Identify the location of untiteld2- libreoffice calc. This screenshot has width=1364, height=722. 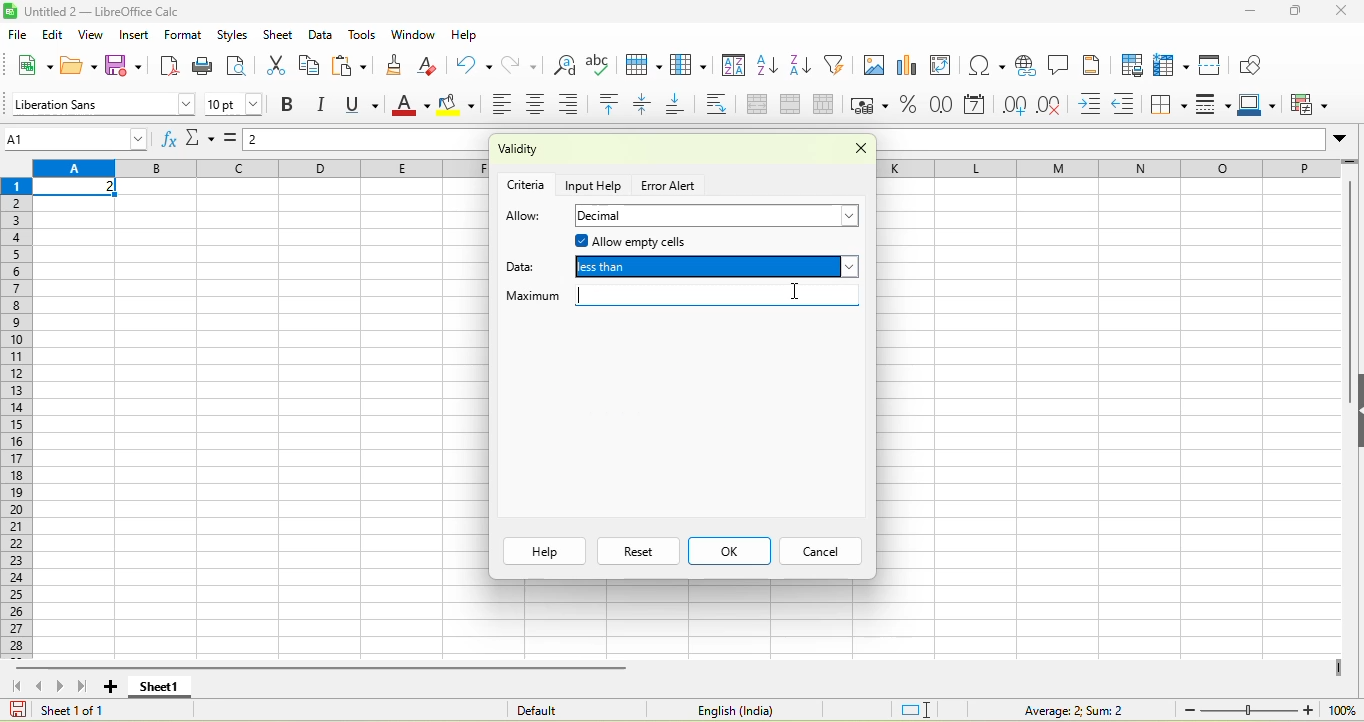
(115, 11).